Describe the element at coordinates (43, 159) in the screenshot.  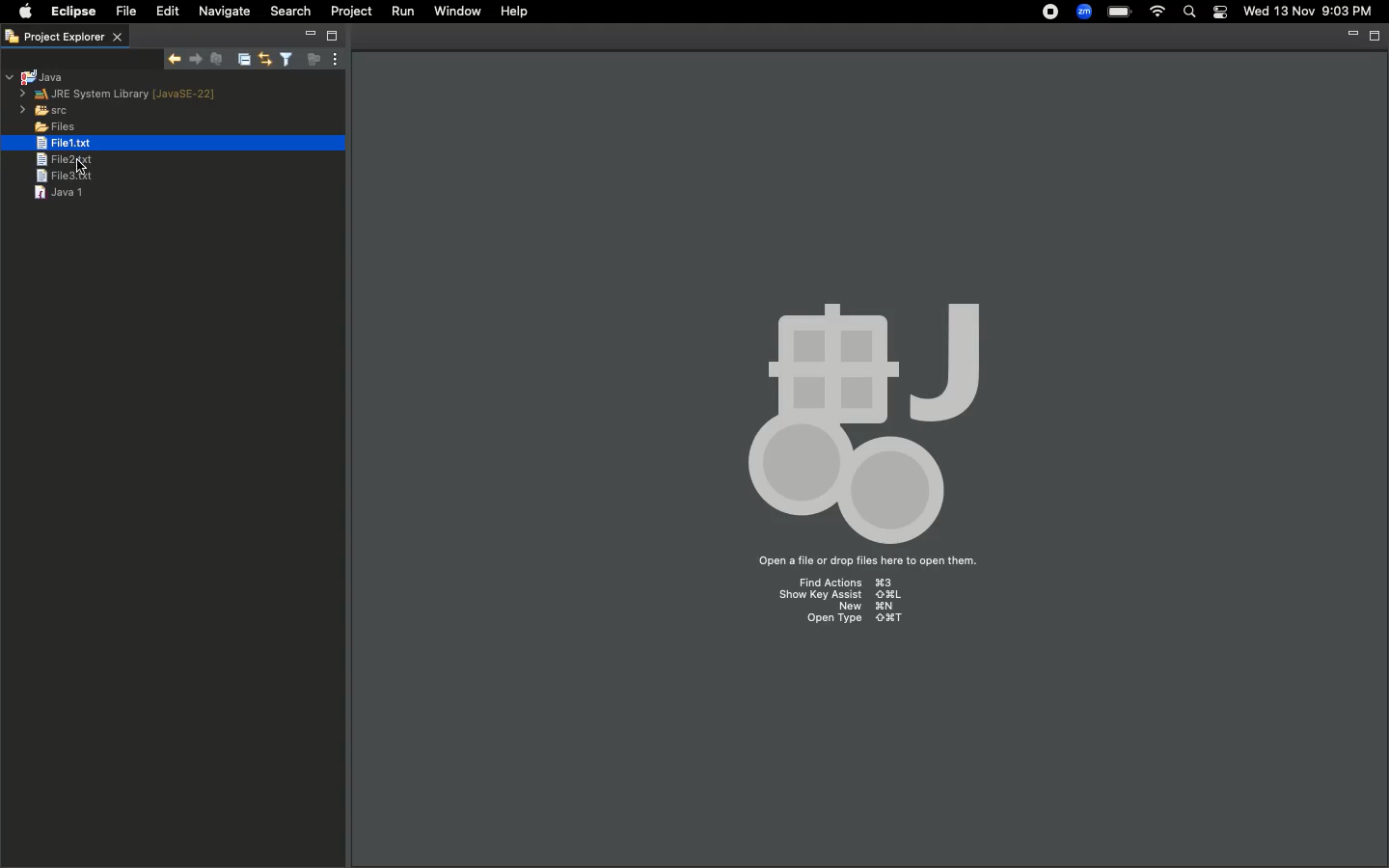
I see `File 2.txt` at that location.